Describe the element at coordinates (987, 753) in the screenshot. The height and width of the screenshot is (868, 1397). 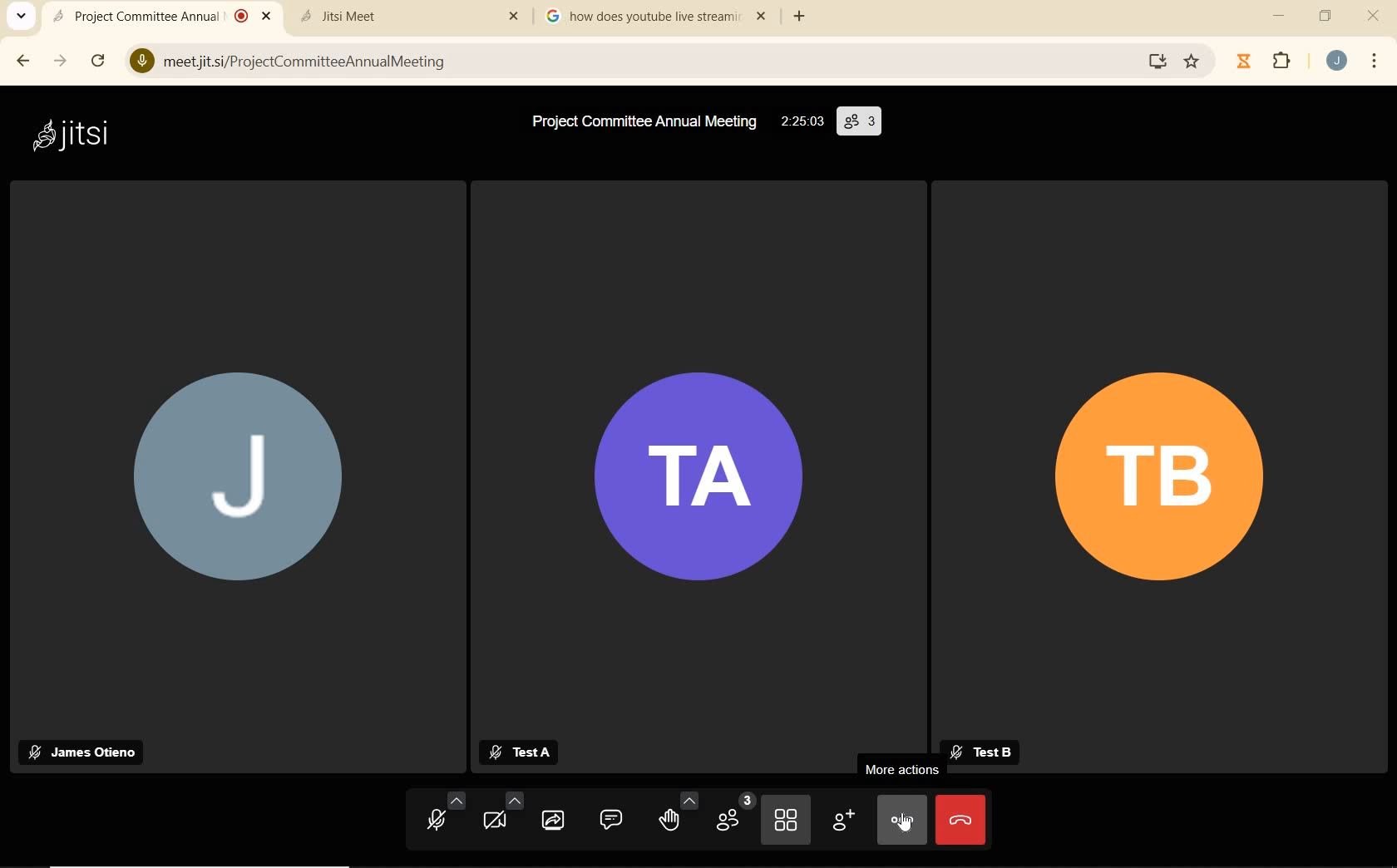
I see `Test B` at that location.